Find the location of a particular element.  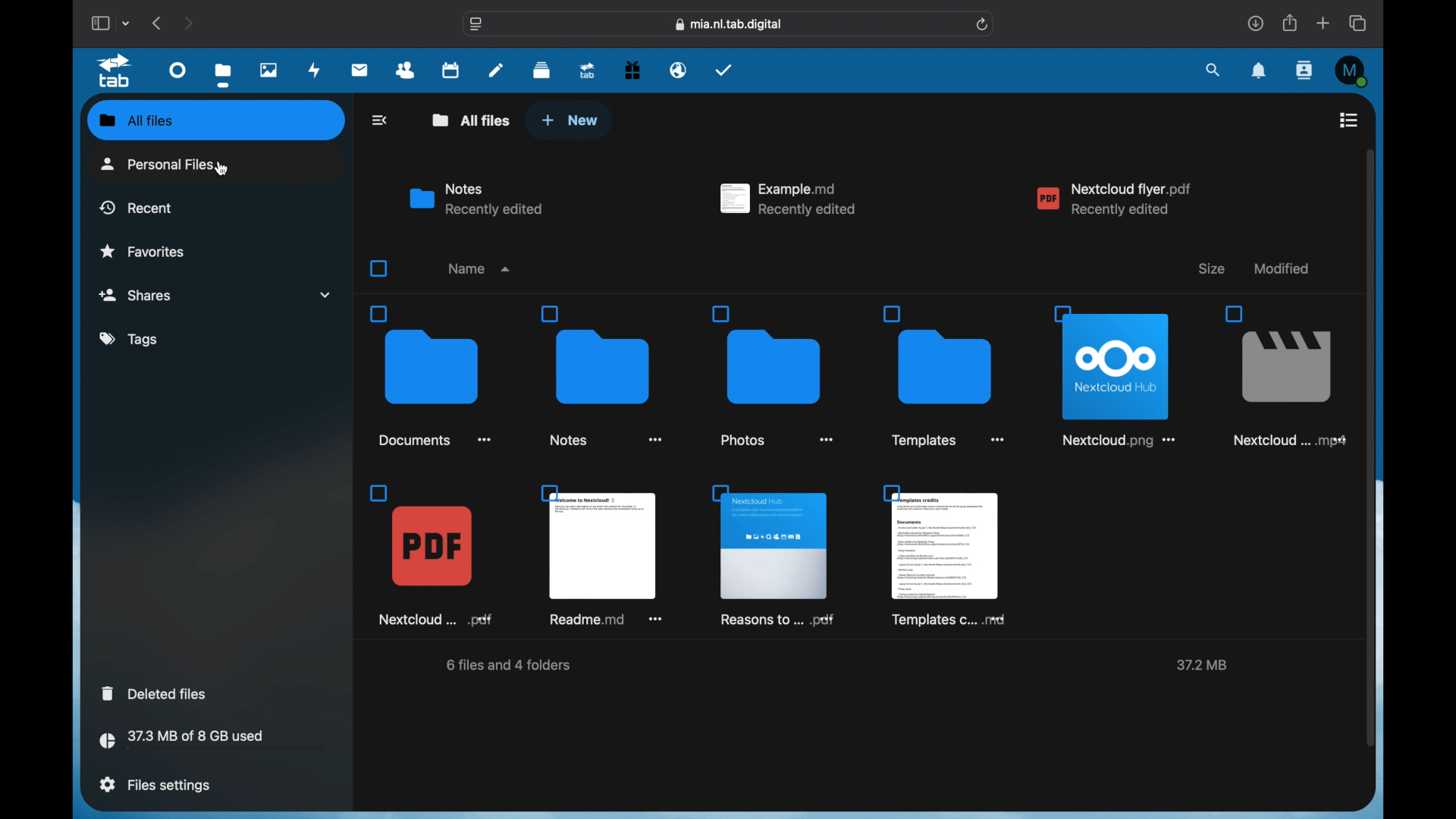

M is located at coordinates (1353, 71).